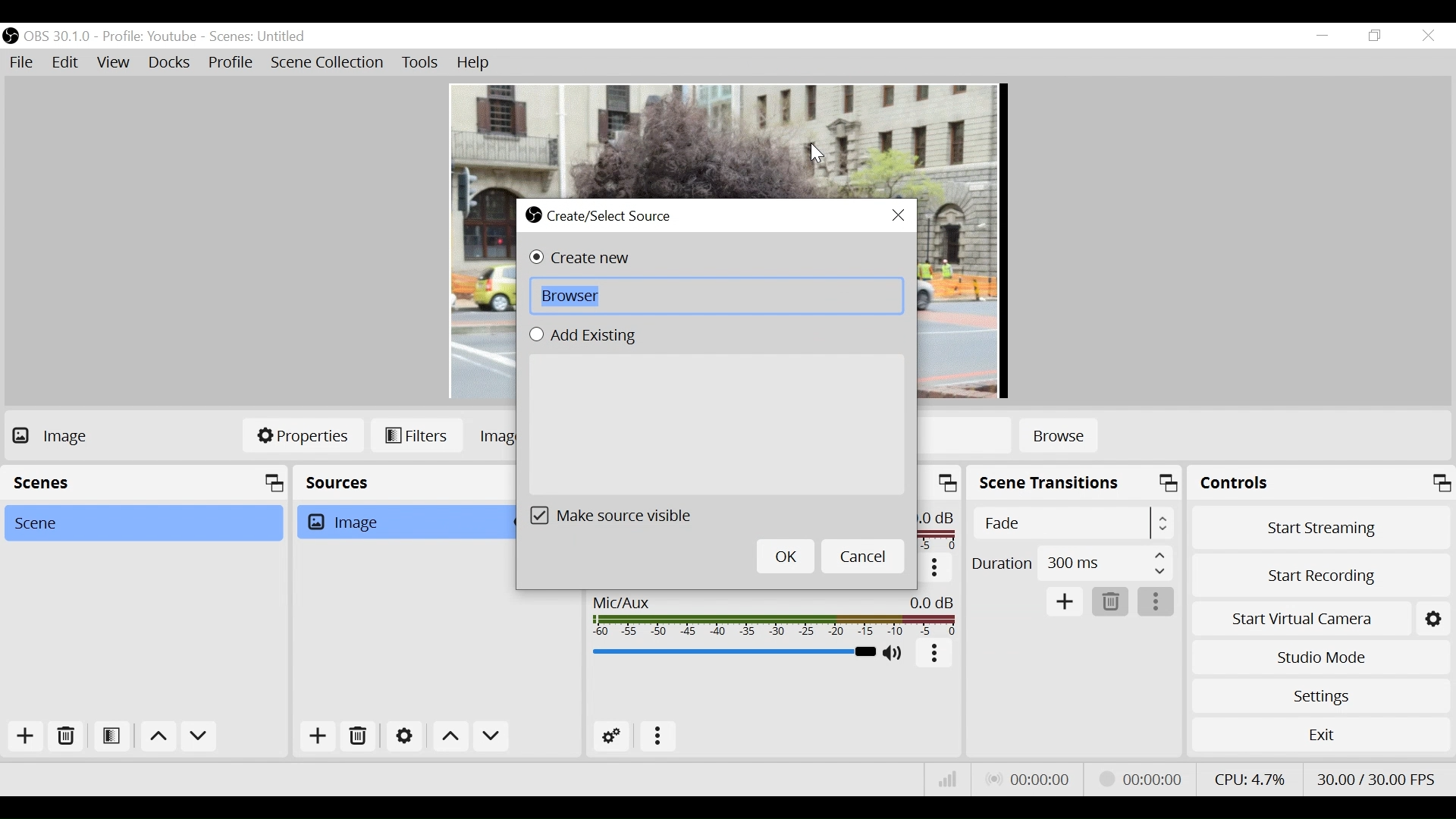  Describe the element at coordinates (1320, 529) in the screenshot. I see `Start Streaming` at that location.